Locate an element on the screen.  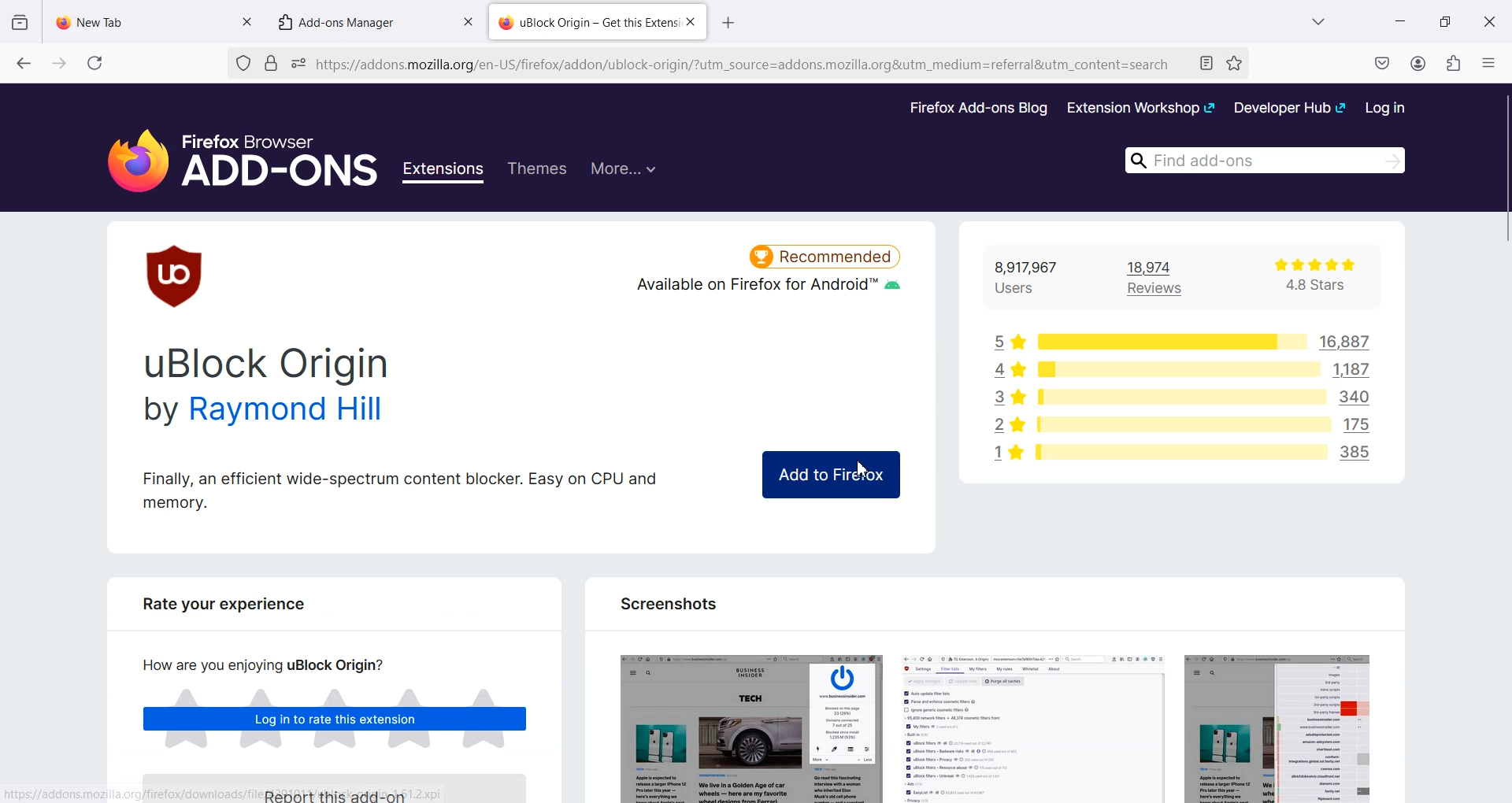
Open Application Menu is located at coordinates (1490, 59).